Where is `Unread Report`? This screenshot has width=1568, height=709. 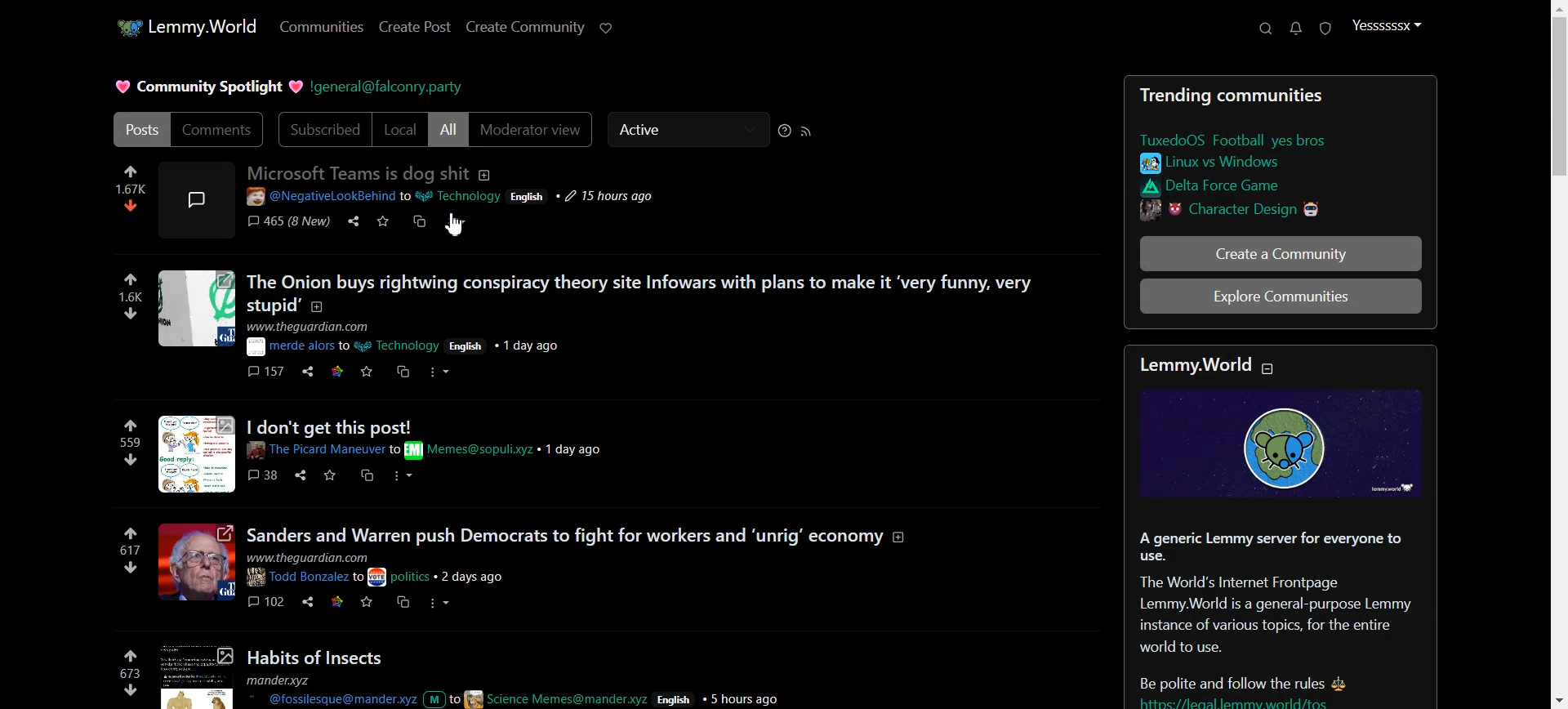
Unread Report is located at coordinates (1325, 29).